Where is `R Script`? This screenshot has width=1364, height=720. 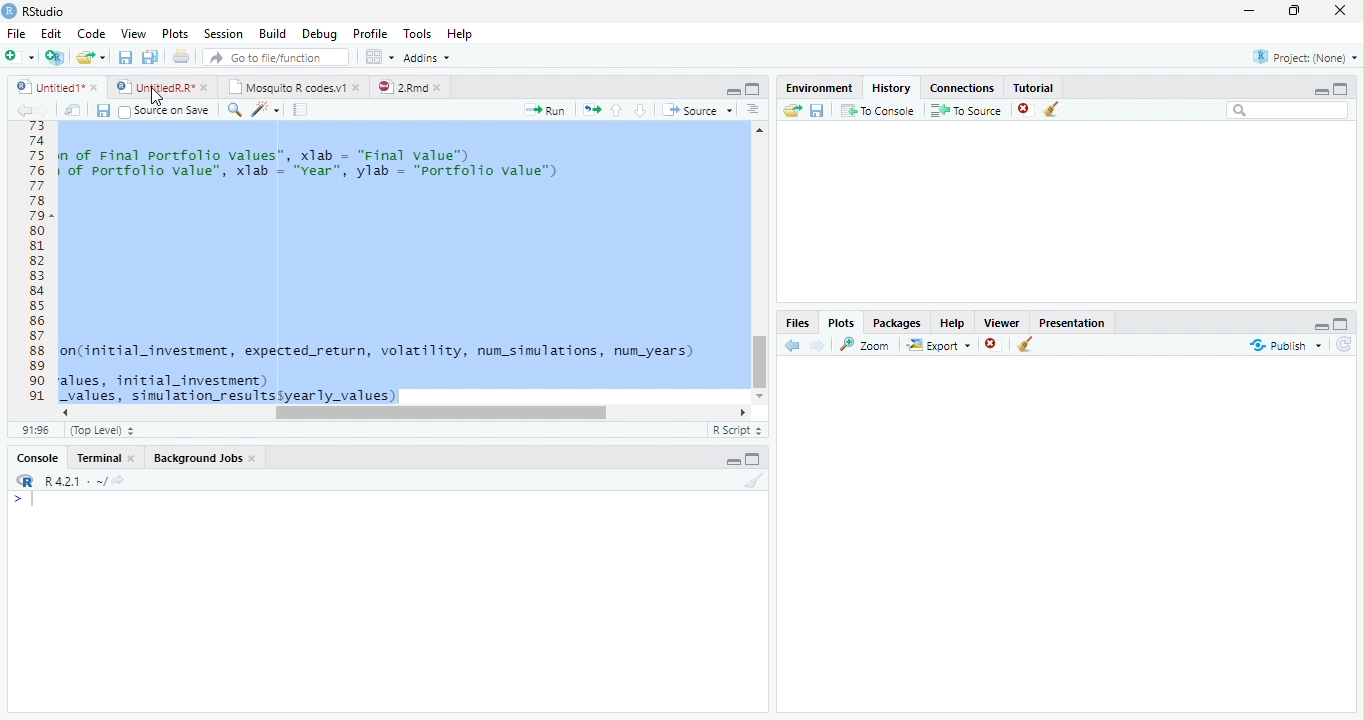 R Script is located at coordinates (737, 430).